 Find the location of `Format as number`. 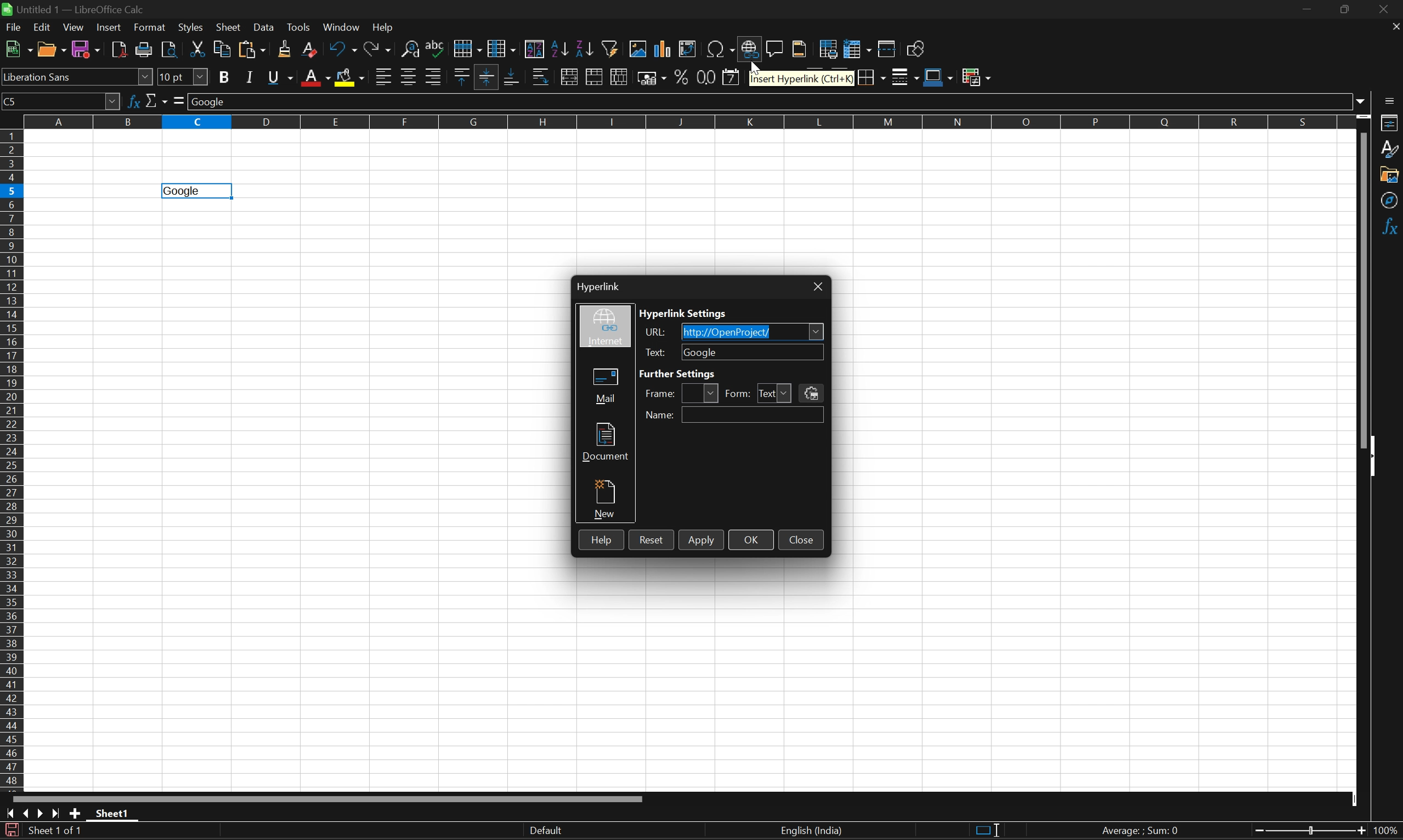

Format as number is located at coordinates (705, 78).